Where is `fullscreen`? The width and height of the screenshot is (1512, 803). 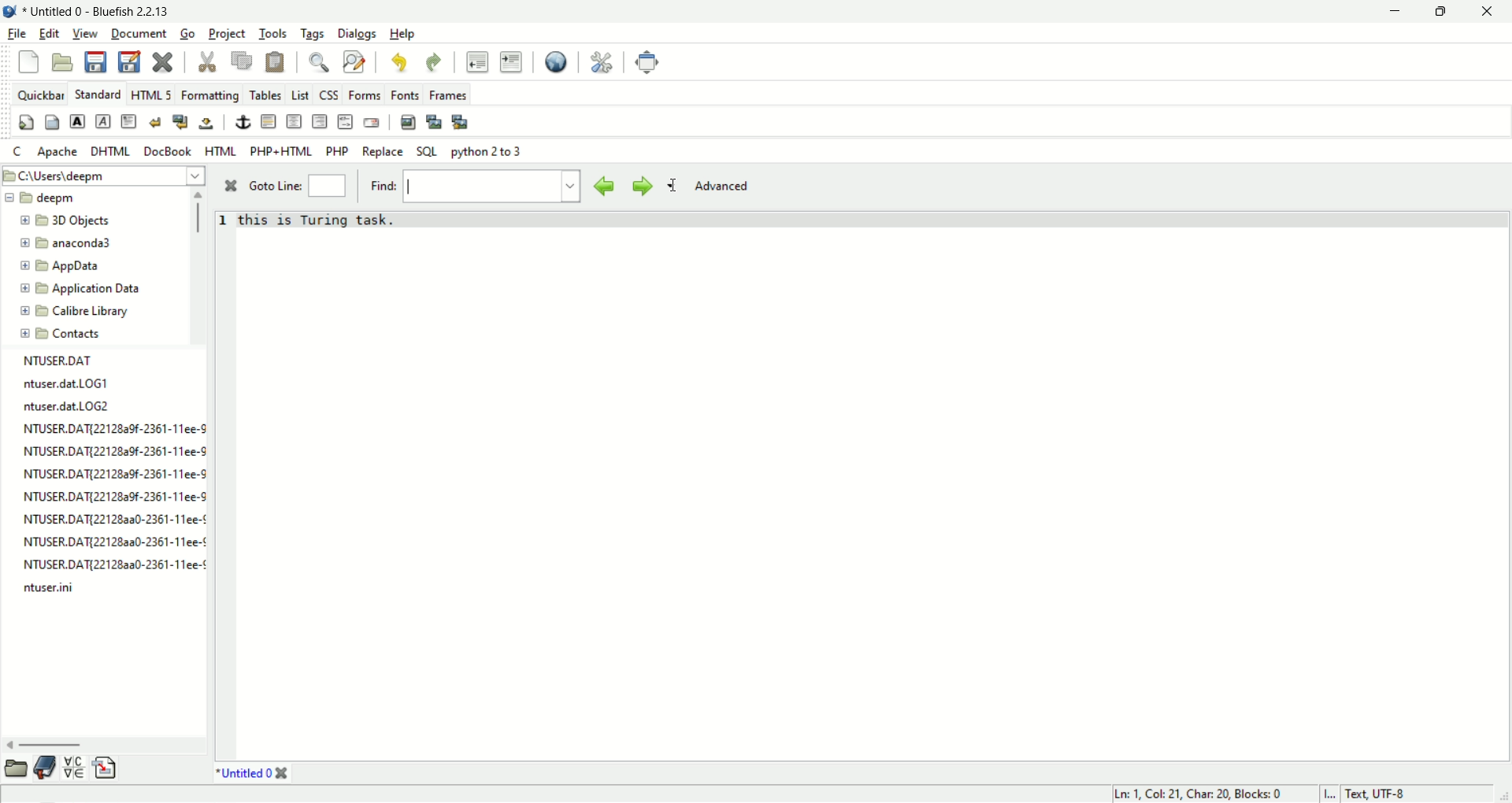 fullscreen is located at coordinates (648, 62).